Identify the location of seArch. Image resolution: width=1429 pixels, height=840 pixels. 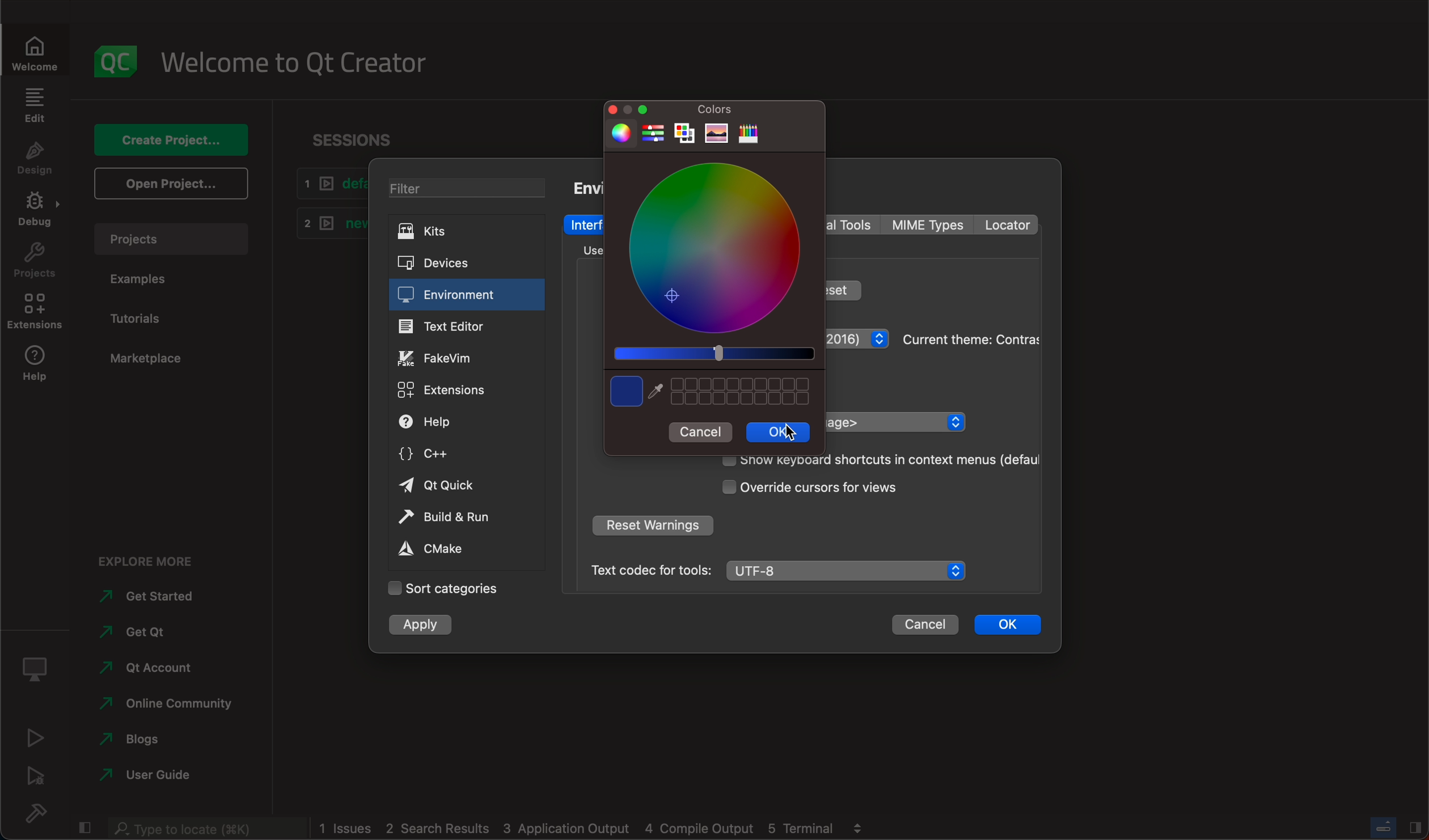
(204, 828).